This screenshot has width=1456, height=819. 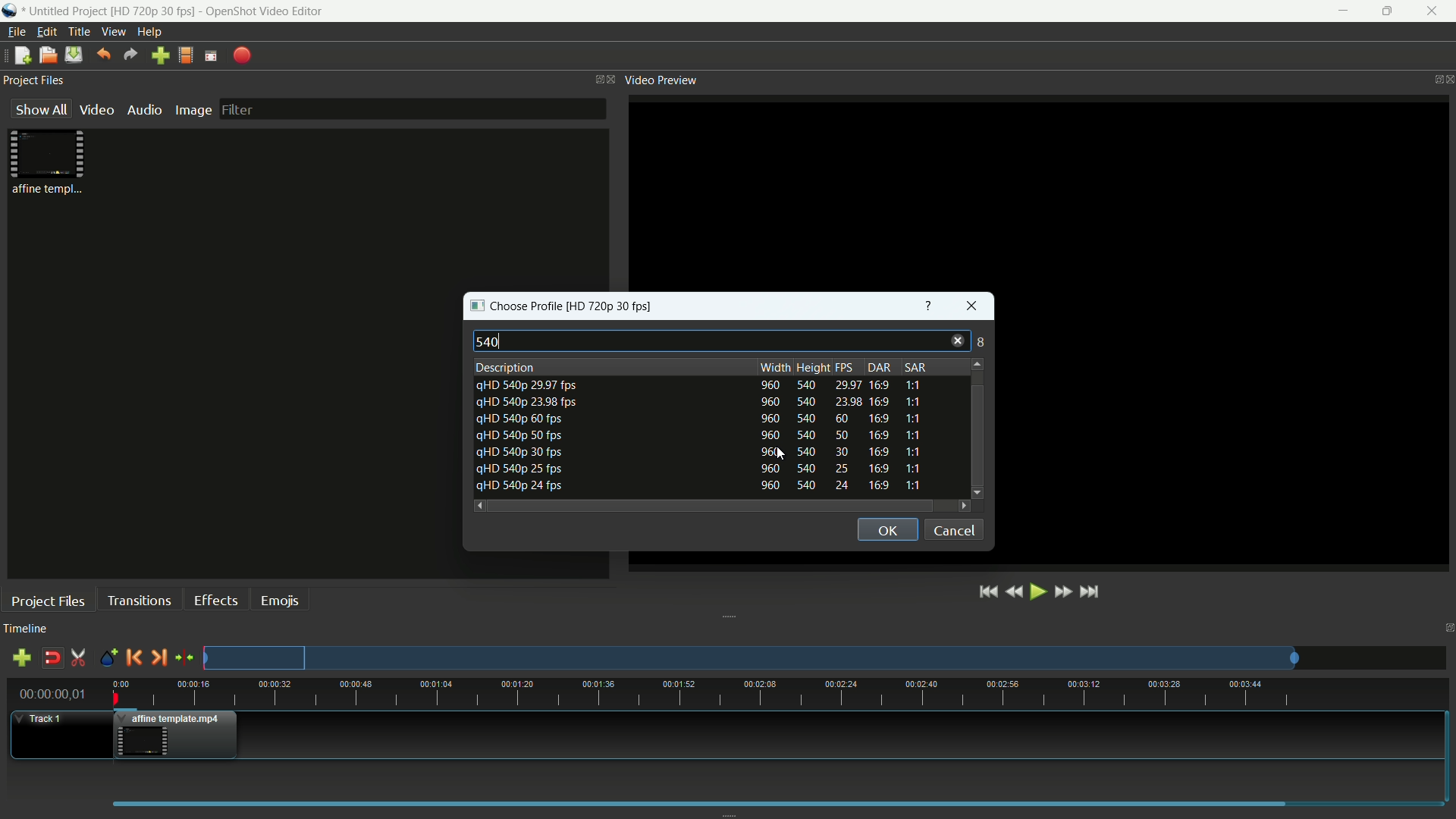 I want to click on close timeline, so click(x=1447, y=629).